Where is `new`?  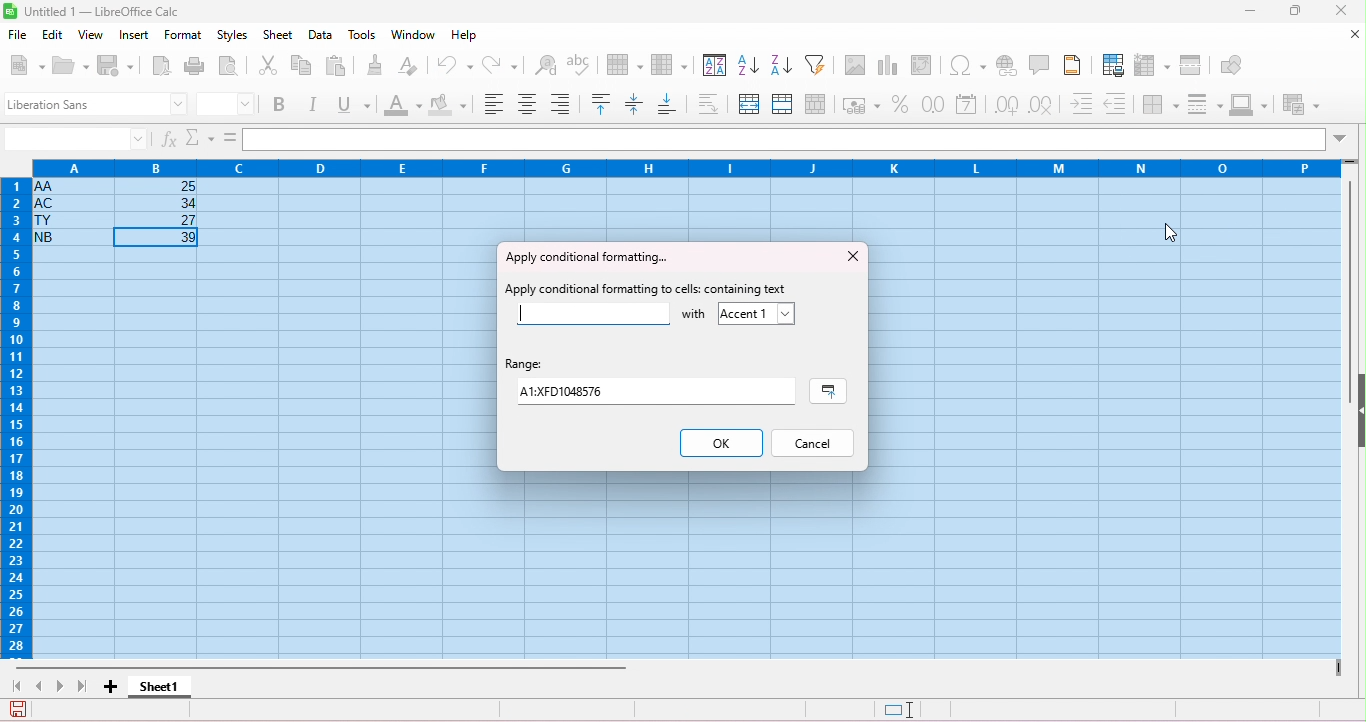 new is located at coordinates (26, 64).